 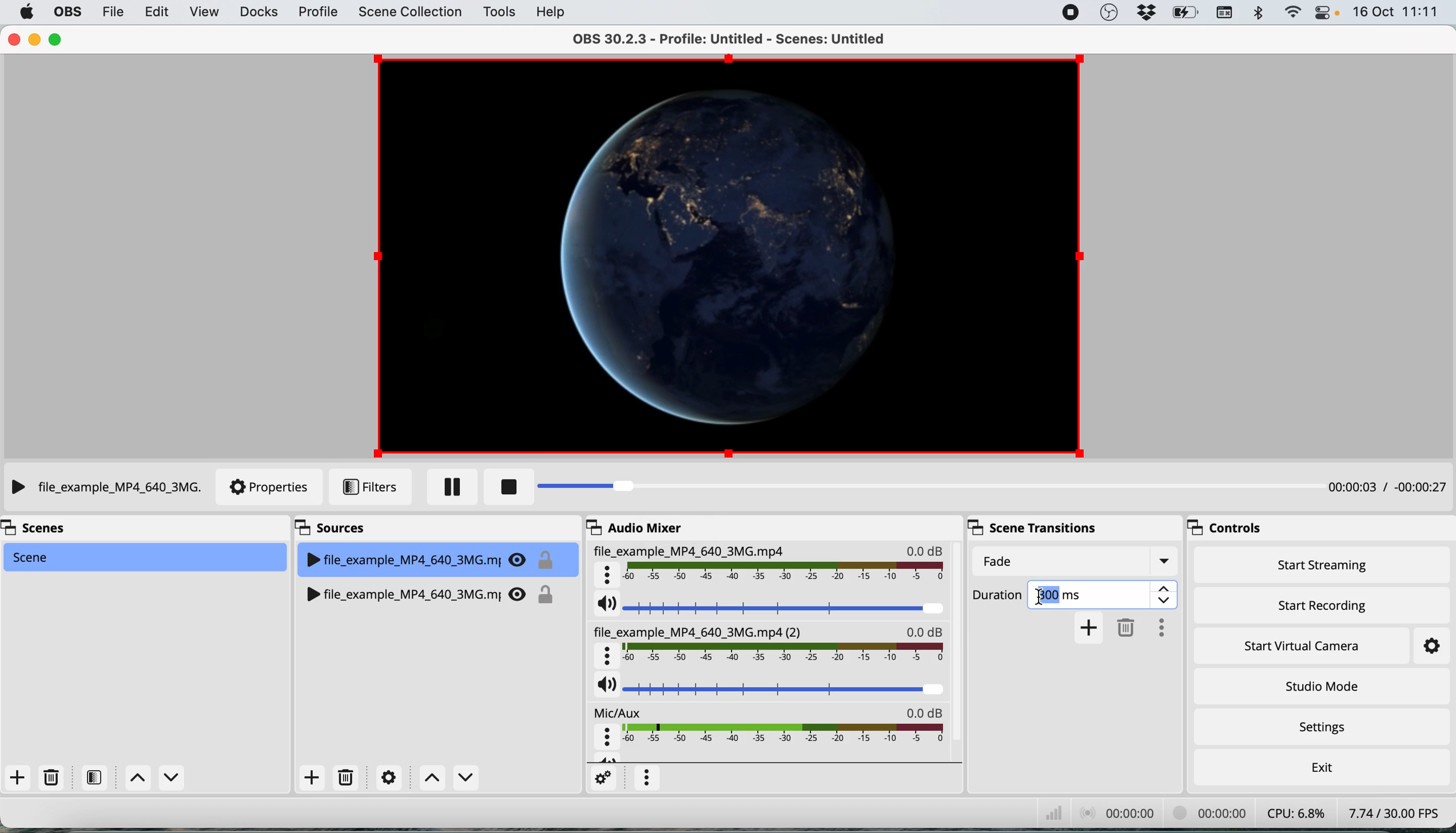 What do you see at coordinates (1319, 686) in the screenshot?
I see `studio mode` at bounding box center [1319, 686].